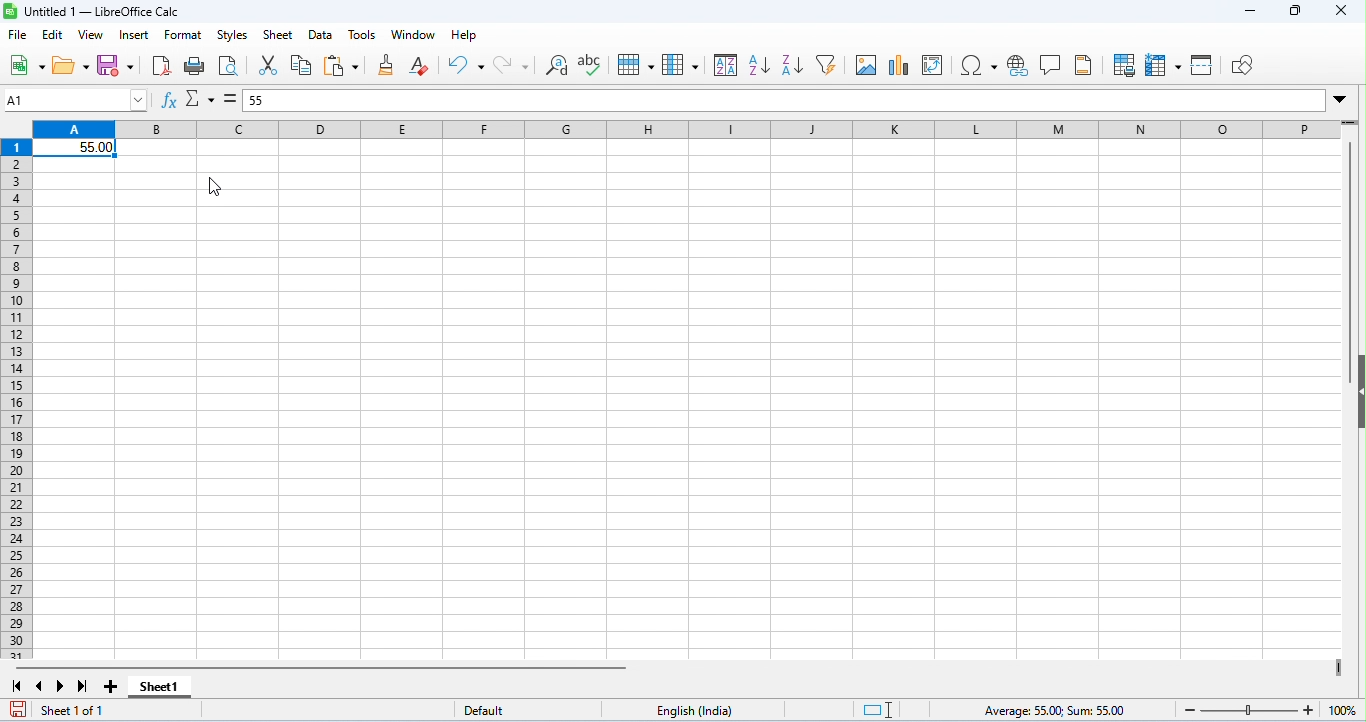 The width and height of the screenshot is (1366, 722). Describe the element at coordinates (75, 149) in the screenshot. I see `decimal format appeared` at that location.